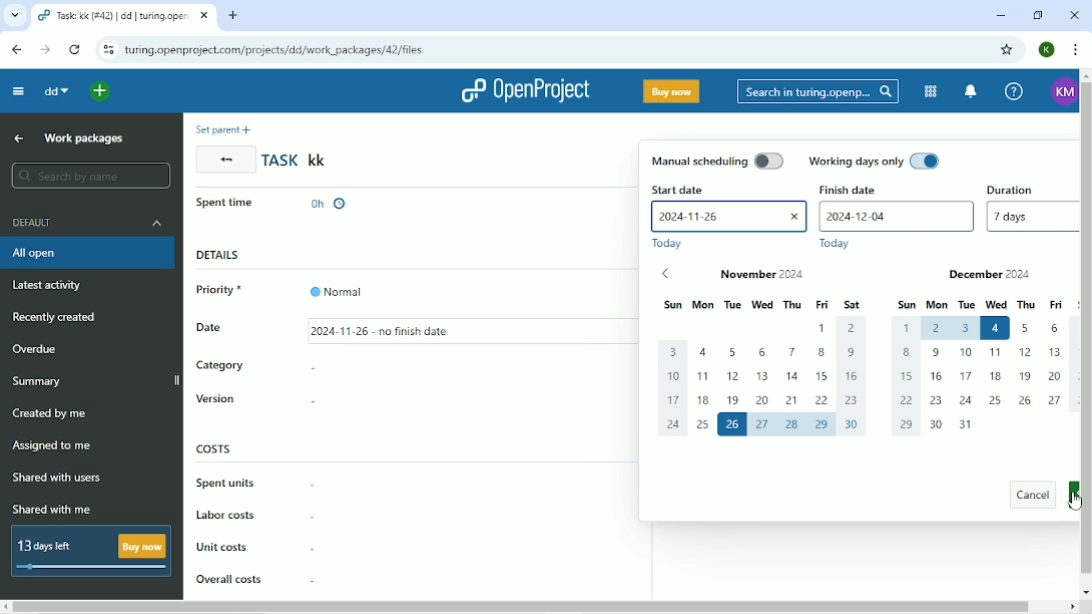  What do you see at coordinates (124, 16) in the screenshot?
I see `task: kk(#42)|dd|turing.openproject.com` at bounding box center [124, 16].